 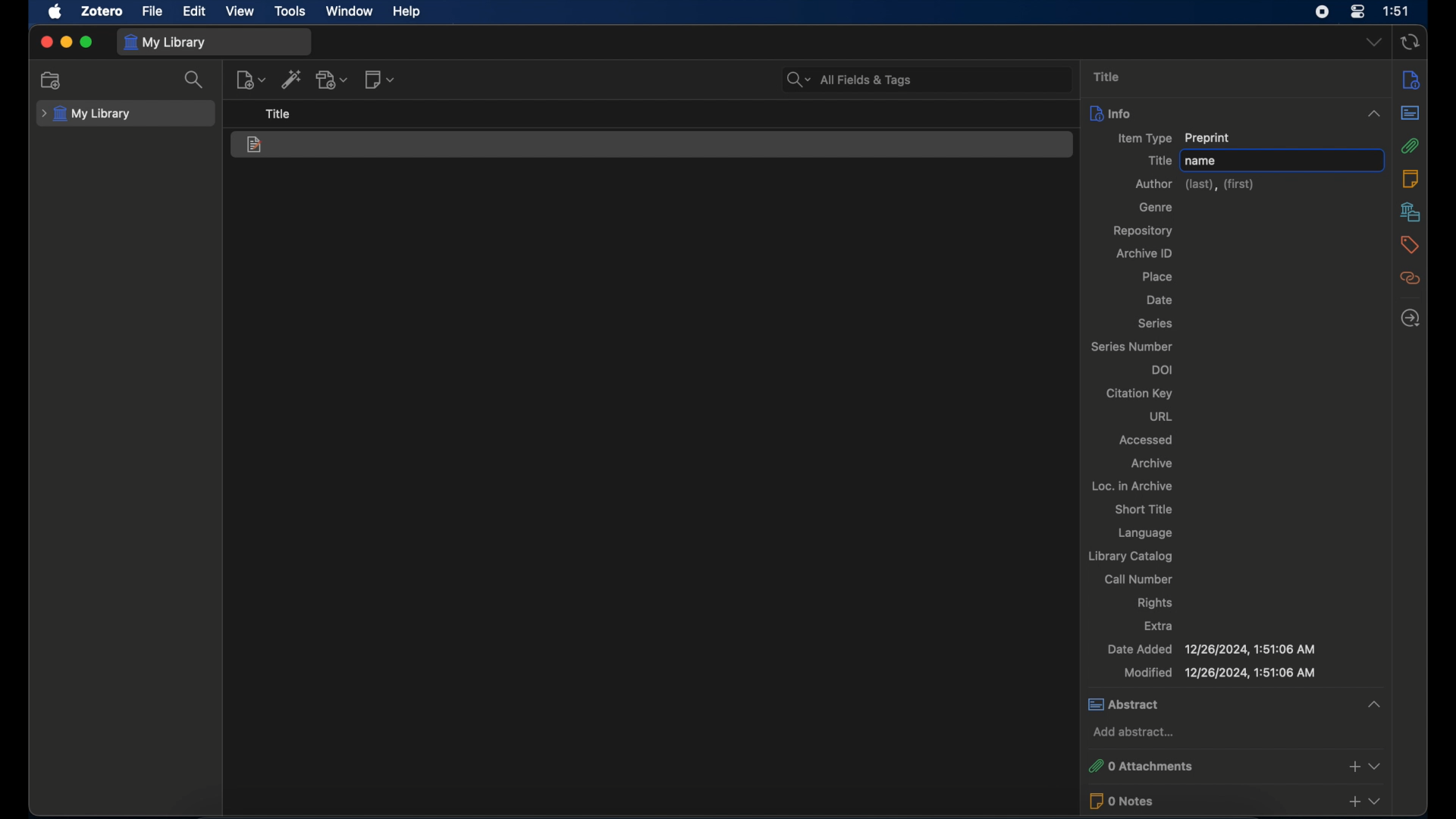 I want to click on add item by identifier, so click(x=291, y=79).